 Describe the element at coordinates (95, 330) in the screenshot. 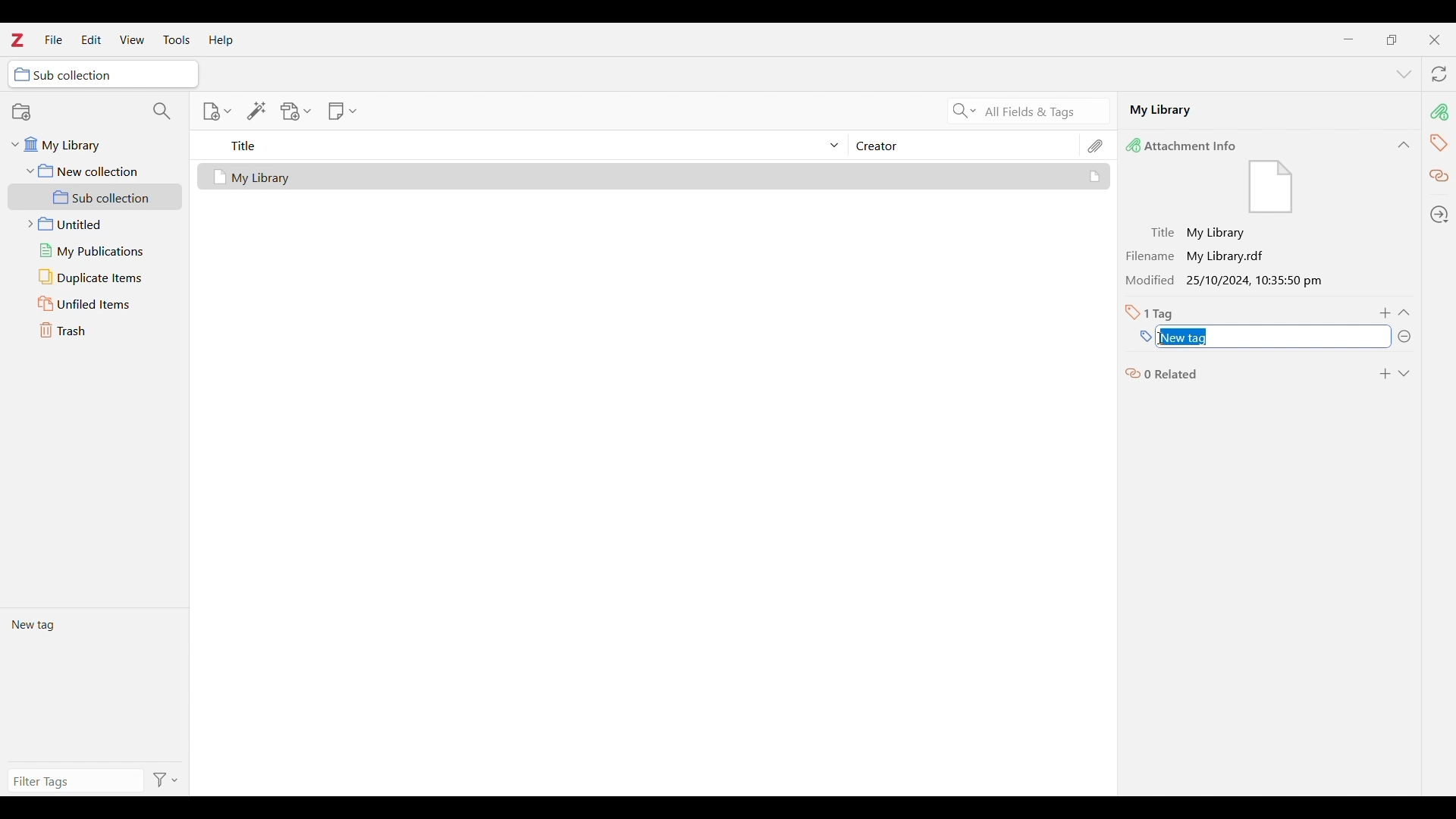

I see `Trash folder` at that location.